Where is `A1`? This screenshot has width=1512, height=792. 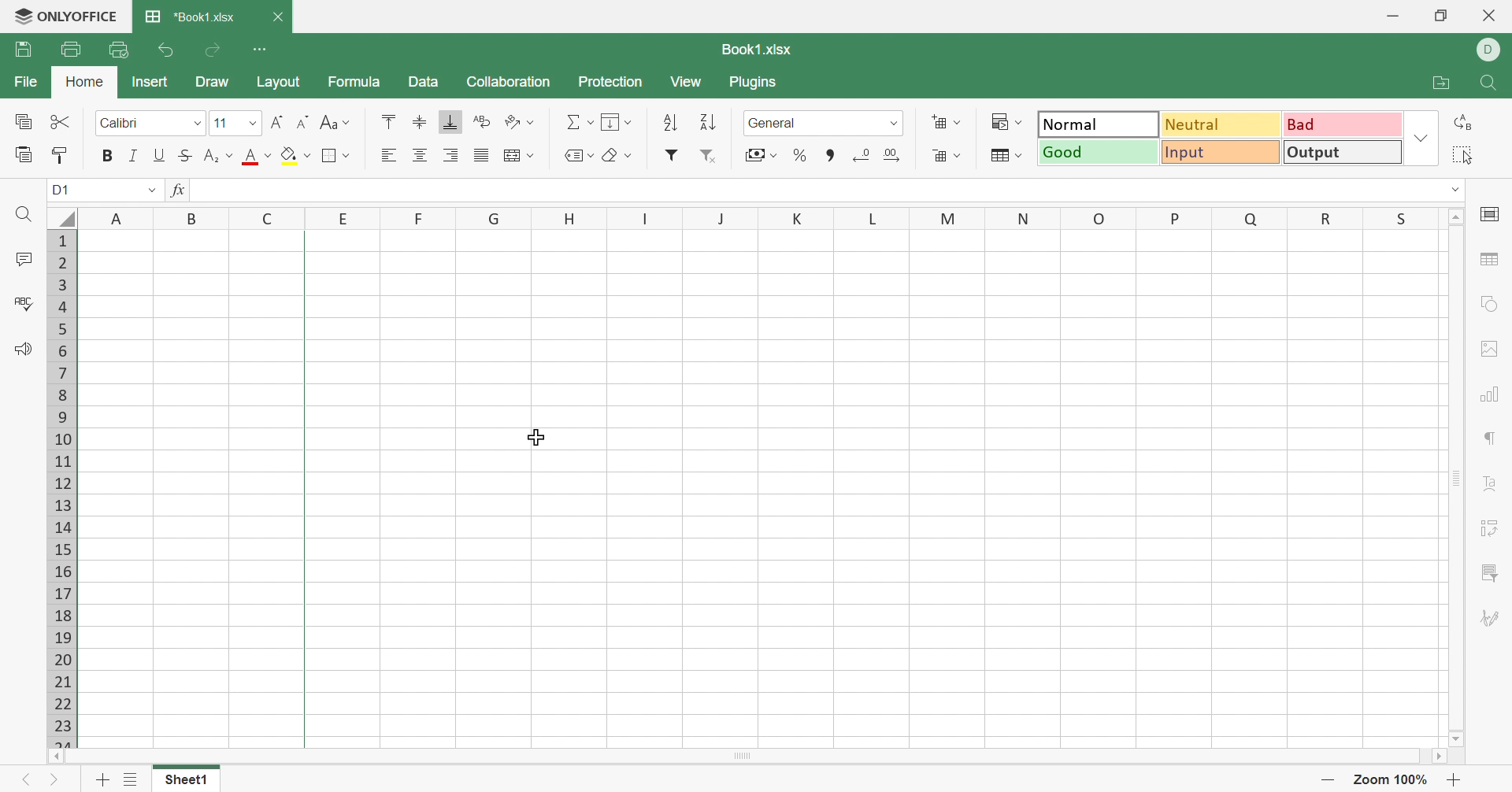
A1 is located at coordinates (69, 190).